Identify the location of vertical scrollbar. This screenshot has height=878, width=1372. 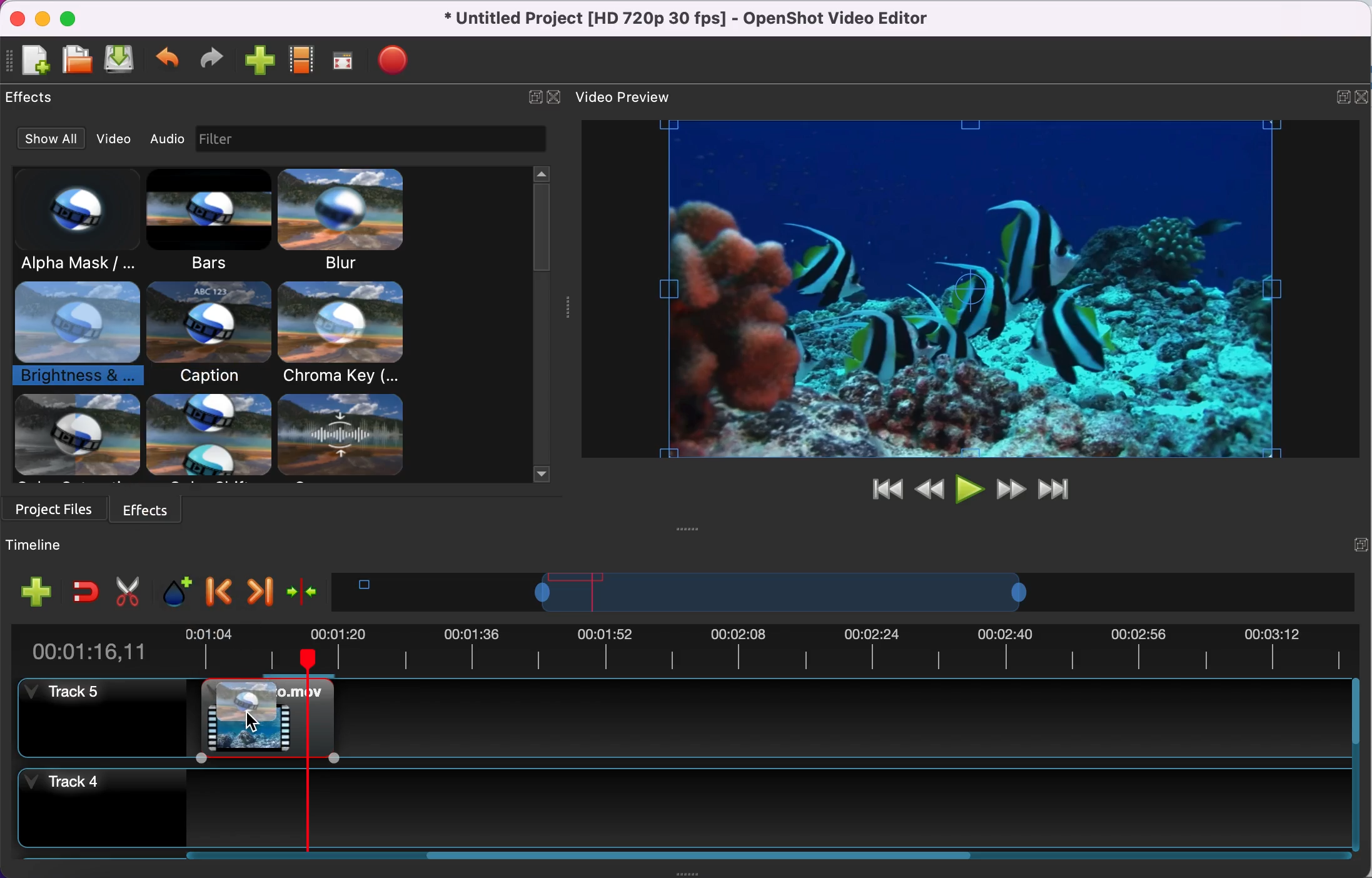
(541, 228).